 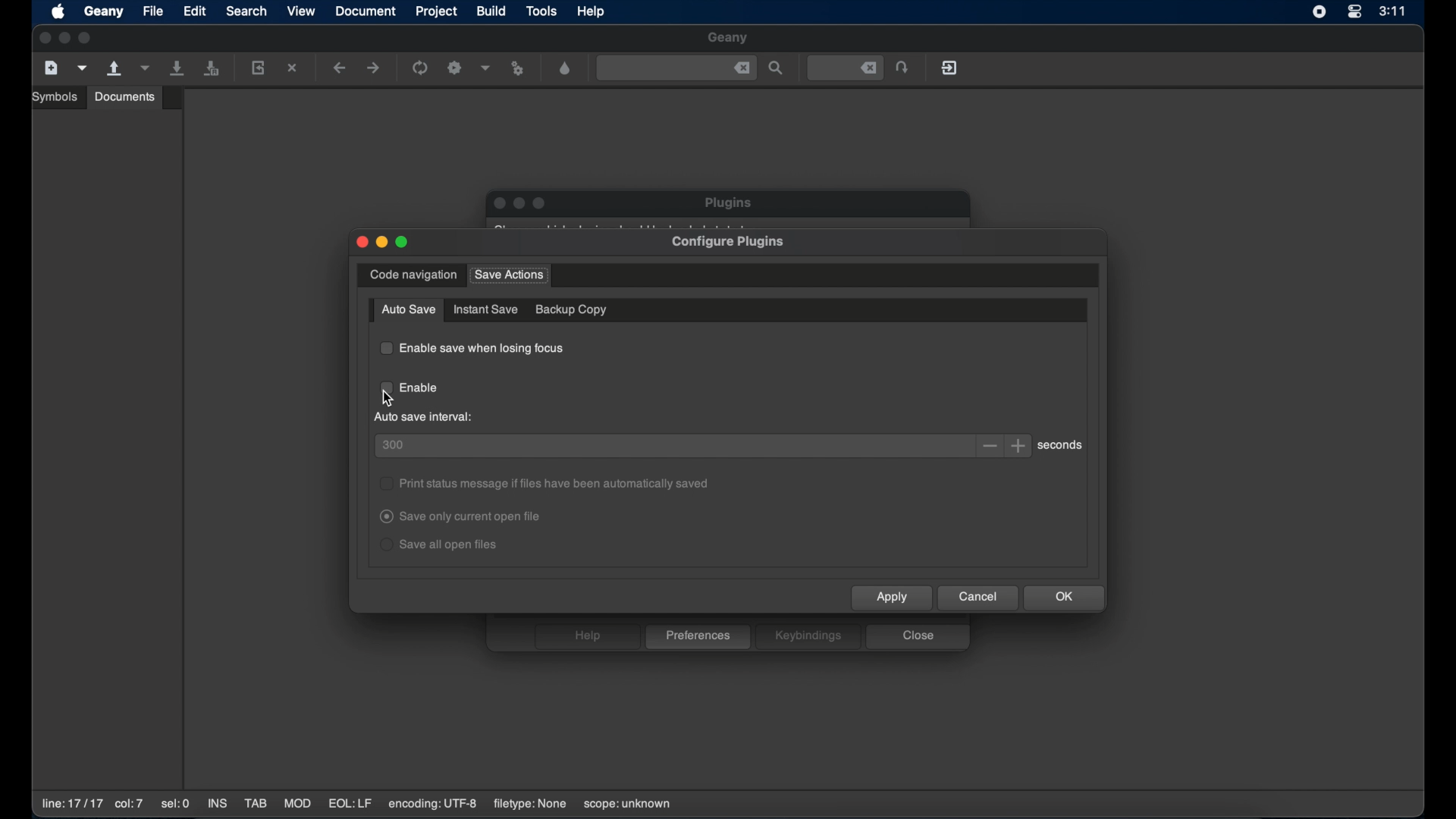 I want to click on view, so click(x=302, y=11).